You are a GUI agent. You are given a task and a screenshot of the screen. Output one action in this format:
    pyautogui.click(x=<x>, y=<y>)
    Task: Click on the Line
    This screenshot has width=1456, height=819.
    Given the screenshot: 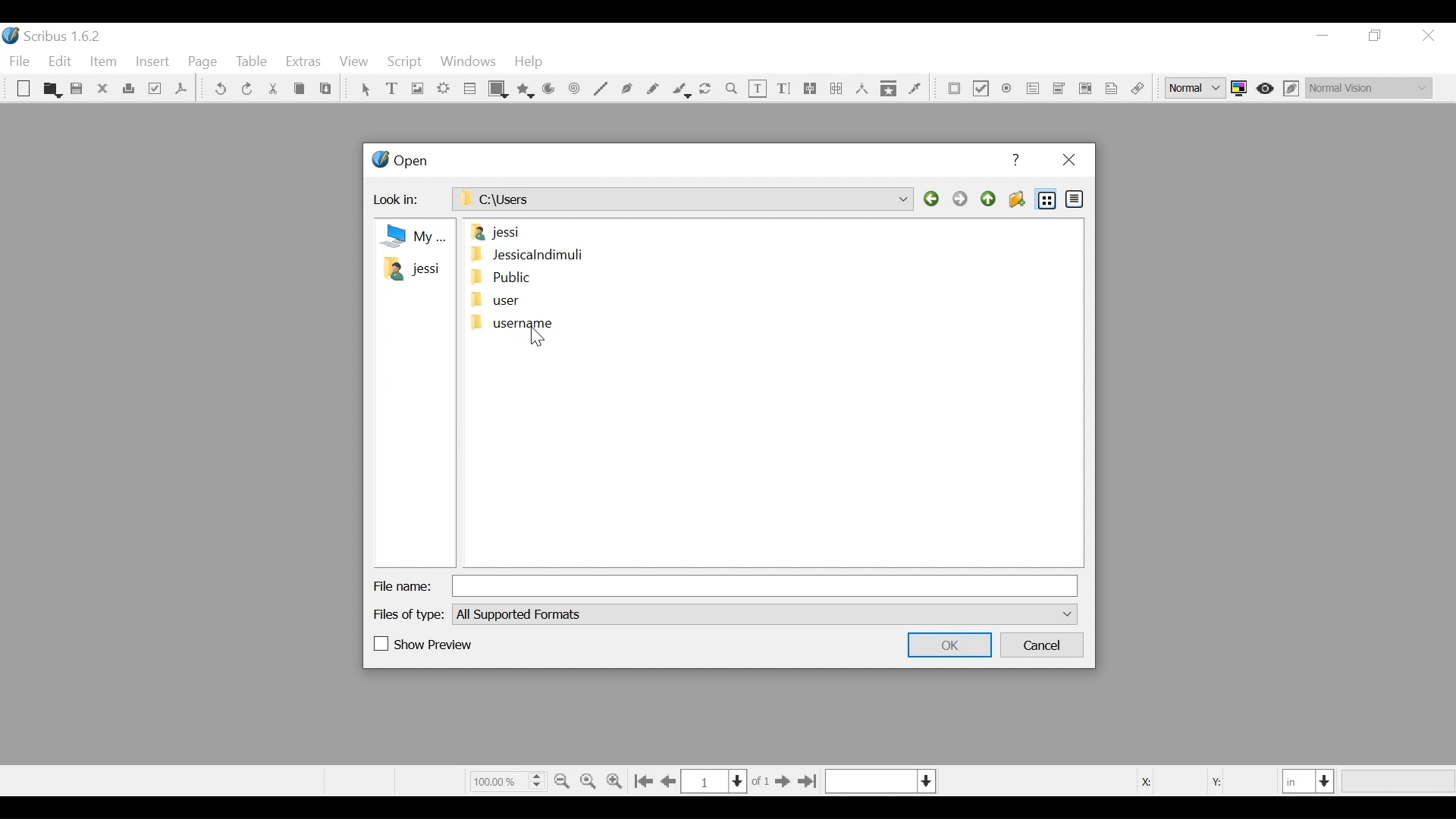 What is the action you would take?
    pyautogui.click(x=600, y=89)
    